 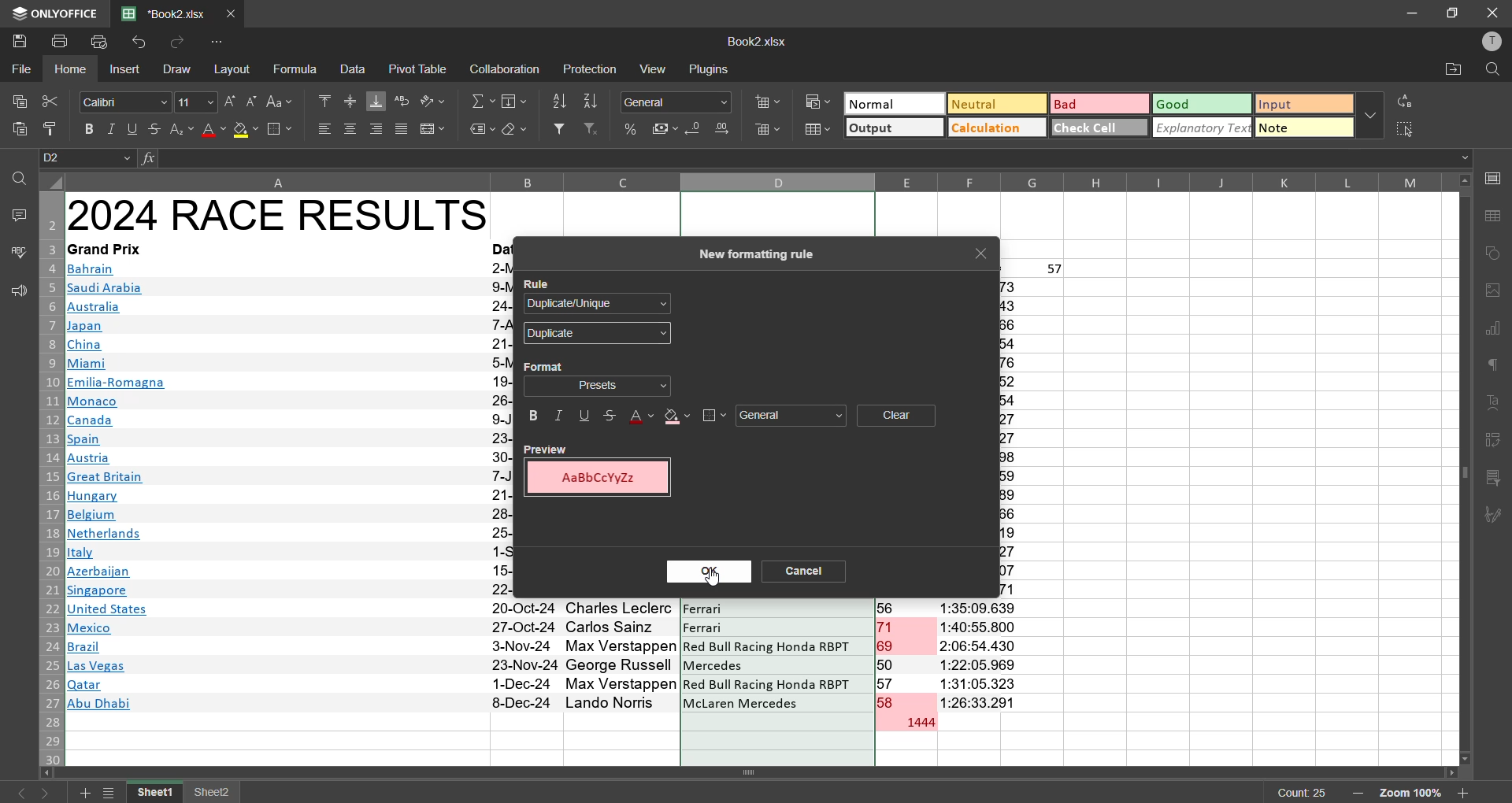 What do you see at coordinates (283, 101) in the screenshot?
I see `change case` at bounding box center [283, 101].